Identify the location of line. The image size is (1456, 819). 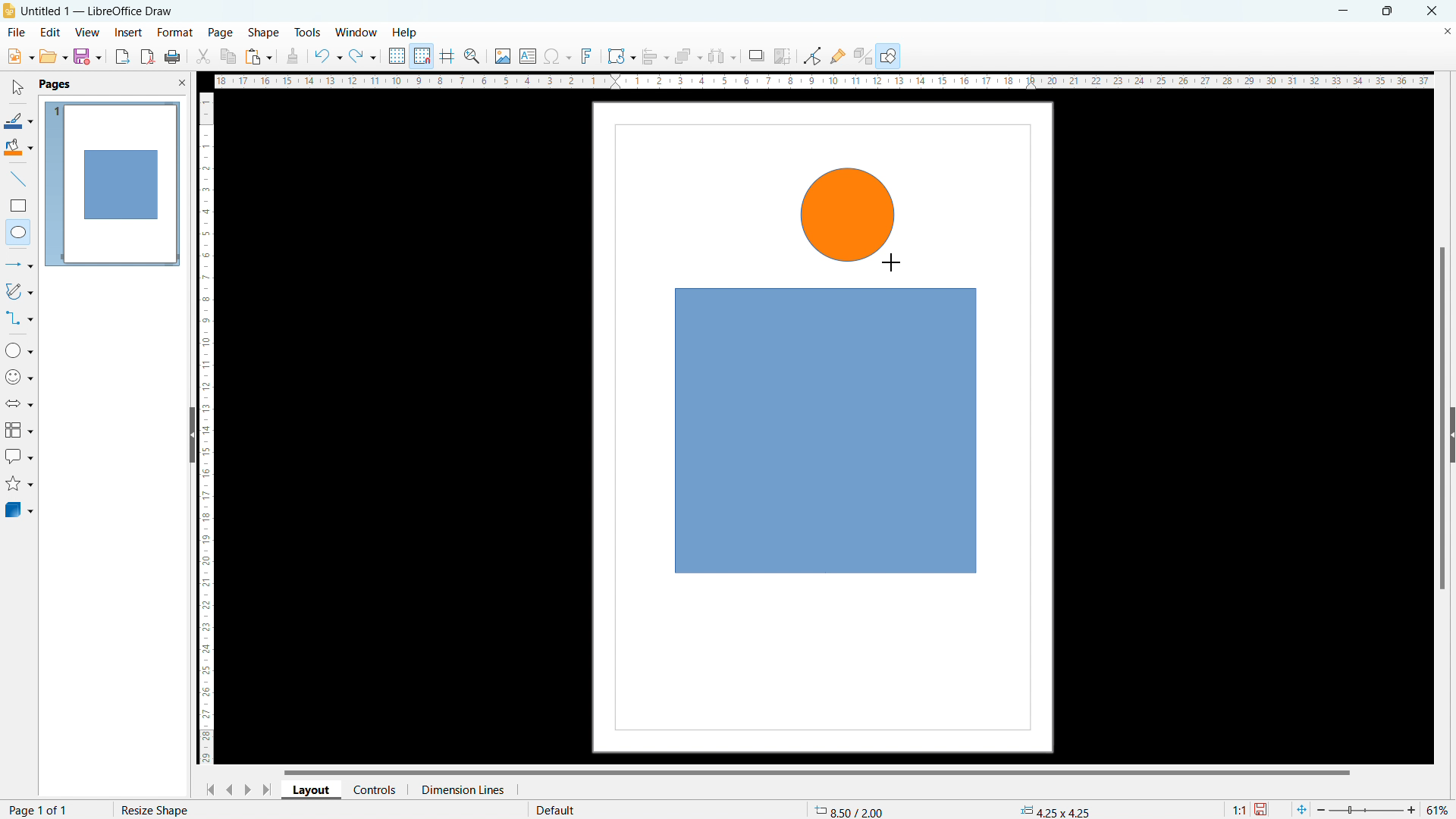
(19, 180).